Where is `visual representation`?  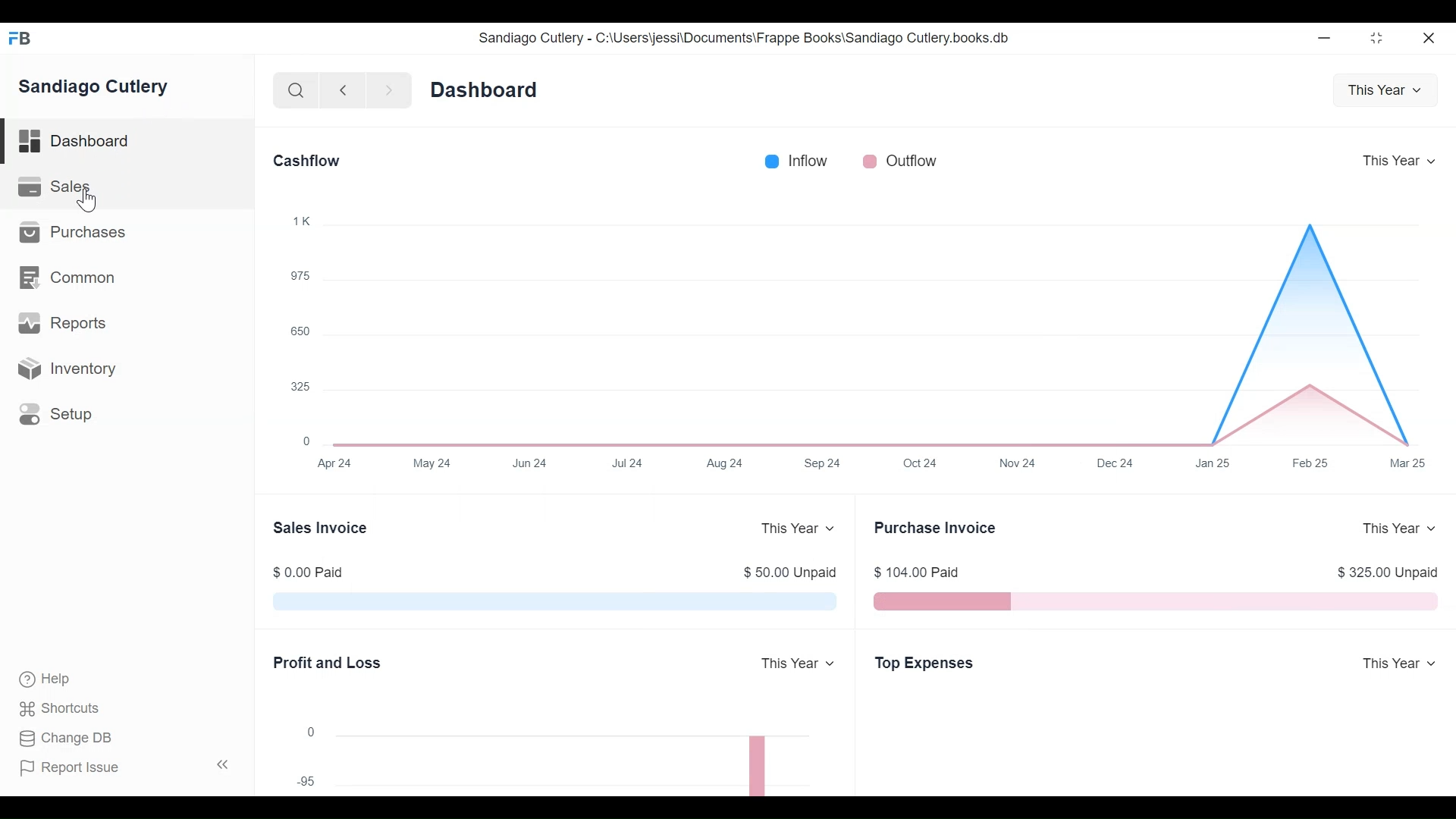
visual representation is located at coordinates (1158, 601).